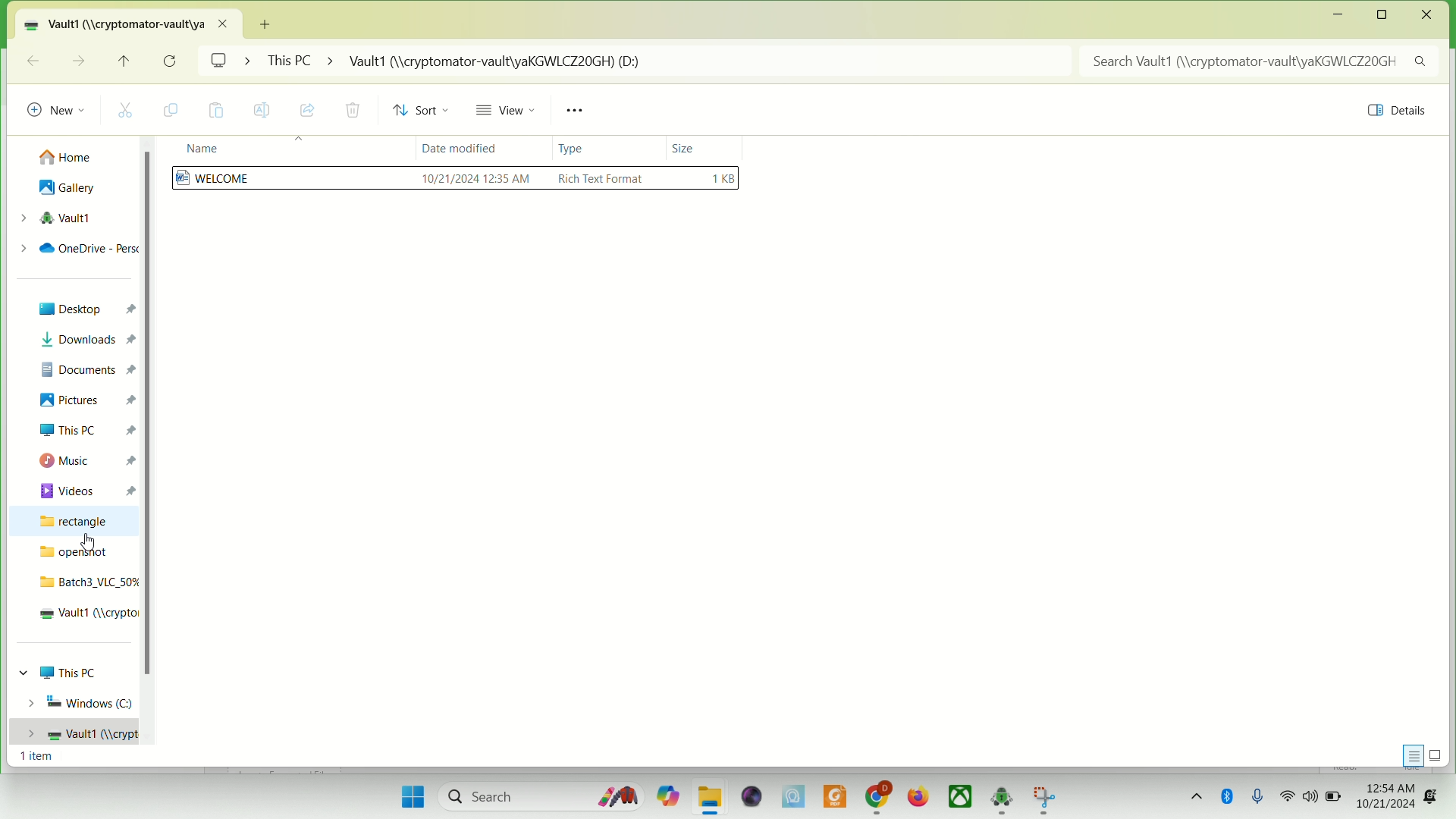 The image size is (1456, 819). What do you see at coordinates (148, 451) in the screenshot?
I see `vertical scroll bar` at bounding box center [148, 451].